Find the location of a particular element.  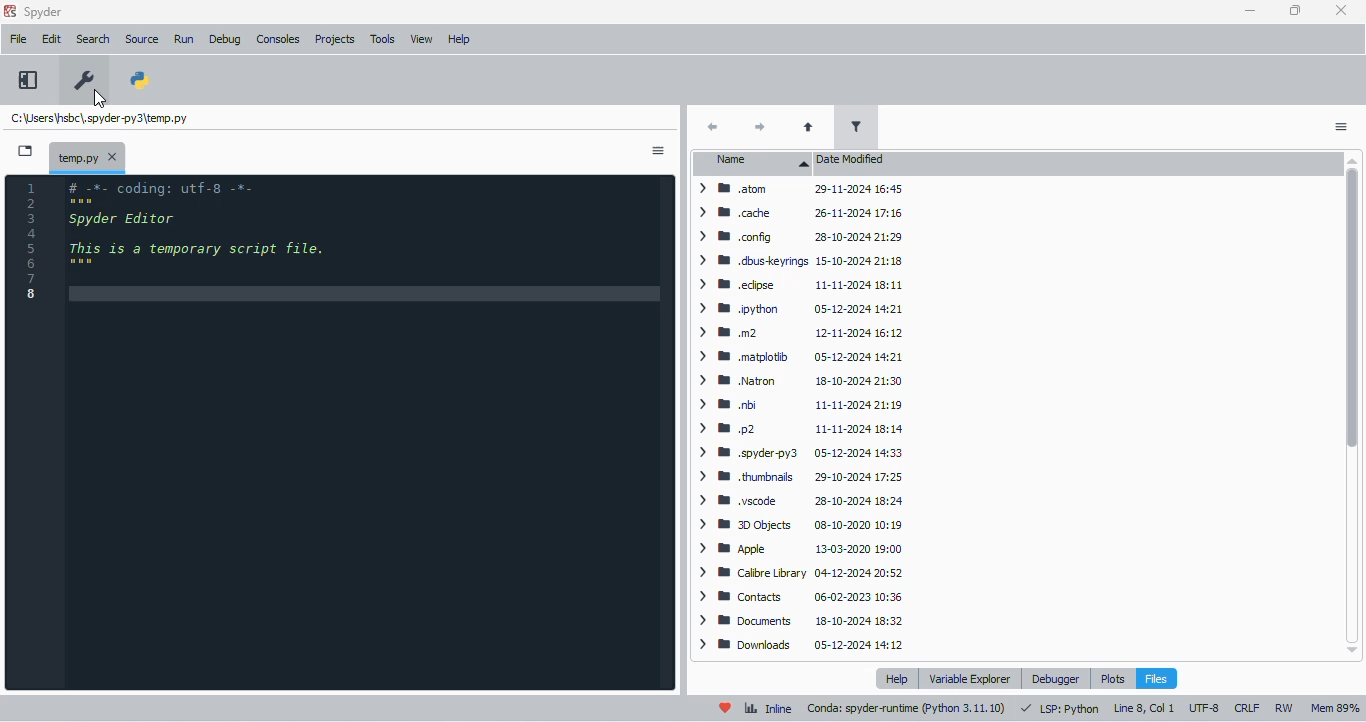

projects is located at coordinates (336, 40).